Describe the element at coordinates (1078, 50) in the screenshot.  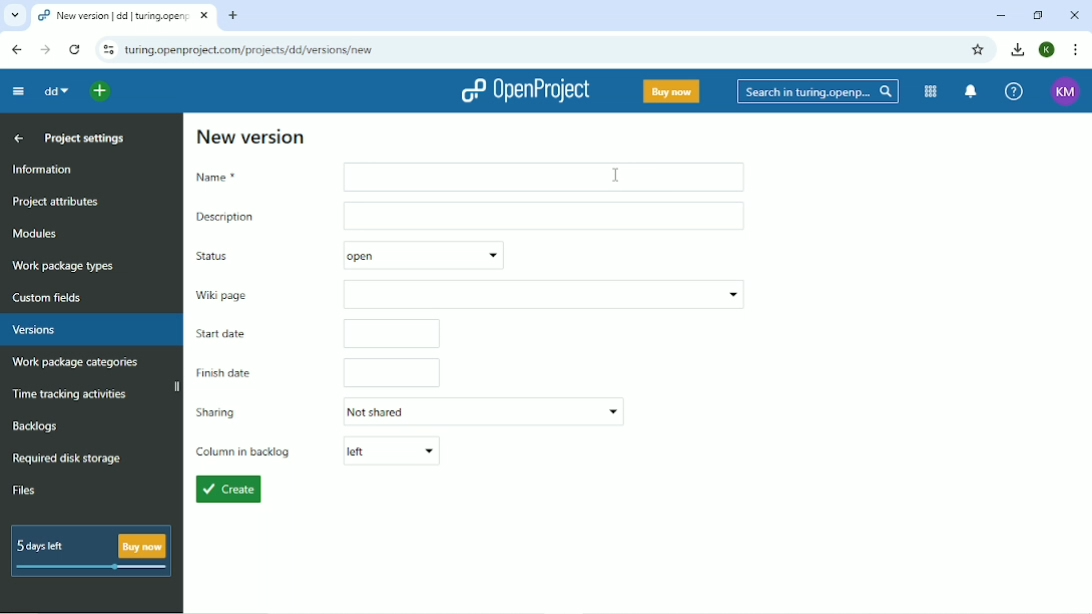
I see `Customize and control google chrome` at that location.